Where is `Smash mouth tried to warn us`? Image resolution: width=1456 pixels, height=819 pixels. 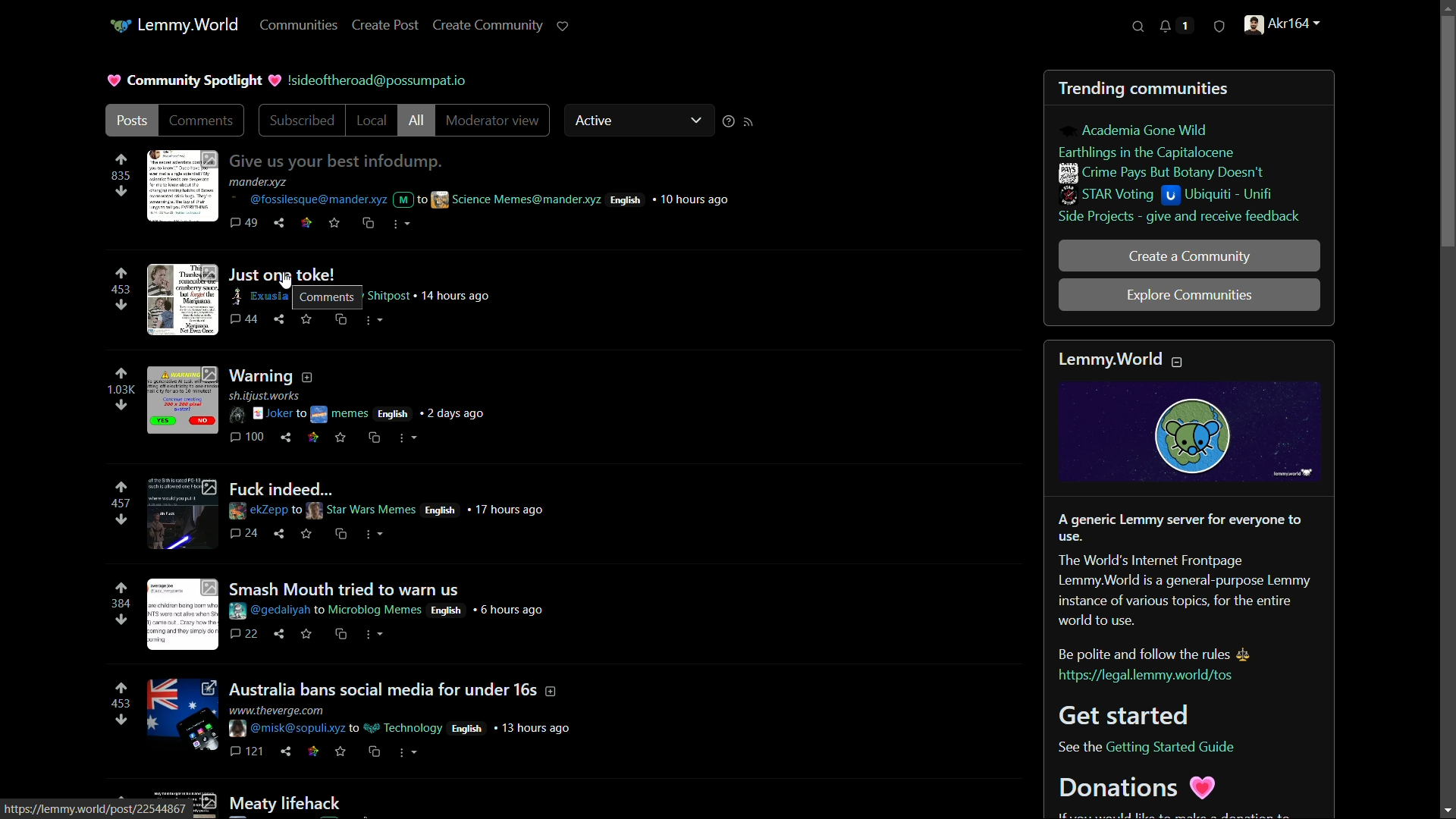
Smash mouth tried to warn us is located at coordinates (345, 588).